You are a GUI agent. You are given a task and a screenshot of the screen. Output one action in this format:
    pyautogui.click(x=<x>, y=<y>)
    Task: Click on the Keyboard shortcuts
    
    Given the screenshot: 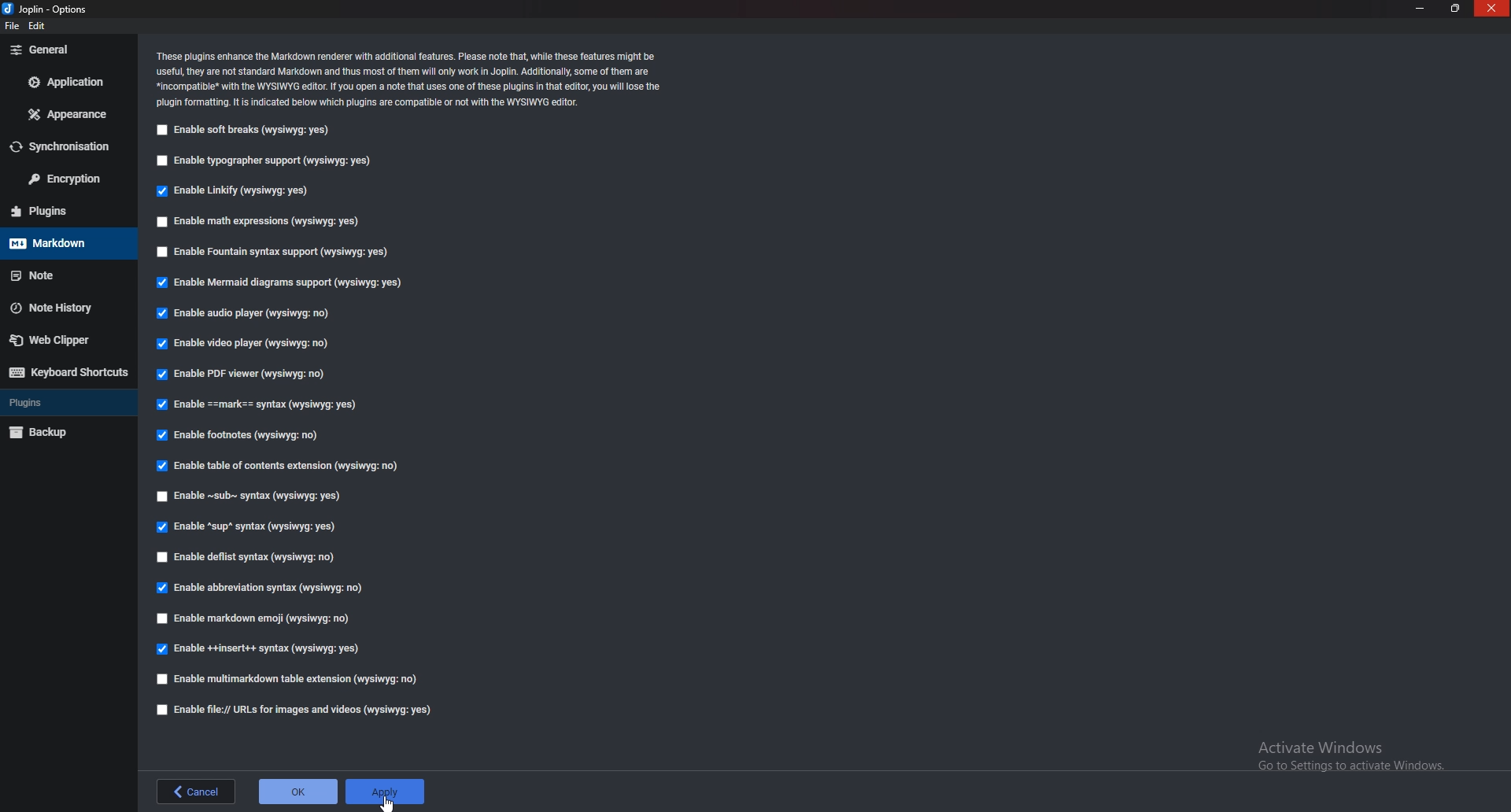 What is the action you would take?
    pyautogui.click(x=66, y=373)
    